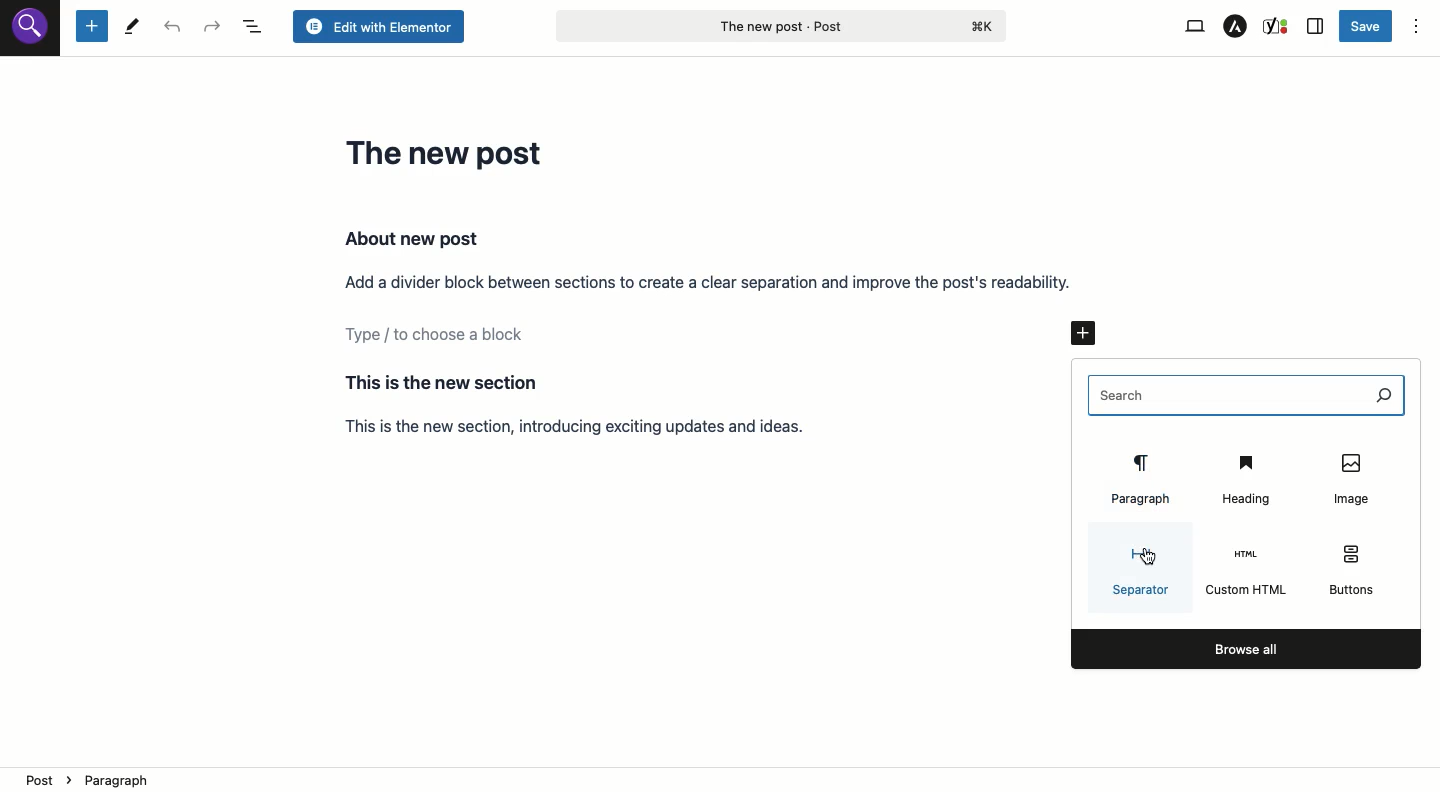 The image size is (1440, 792). What do you see at coordinates (377, 27) in the screenshot?
I see `Edit with elementor` at bounding box center [377, 27].